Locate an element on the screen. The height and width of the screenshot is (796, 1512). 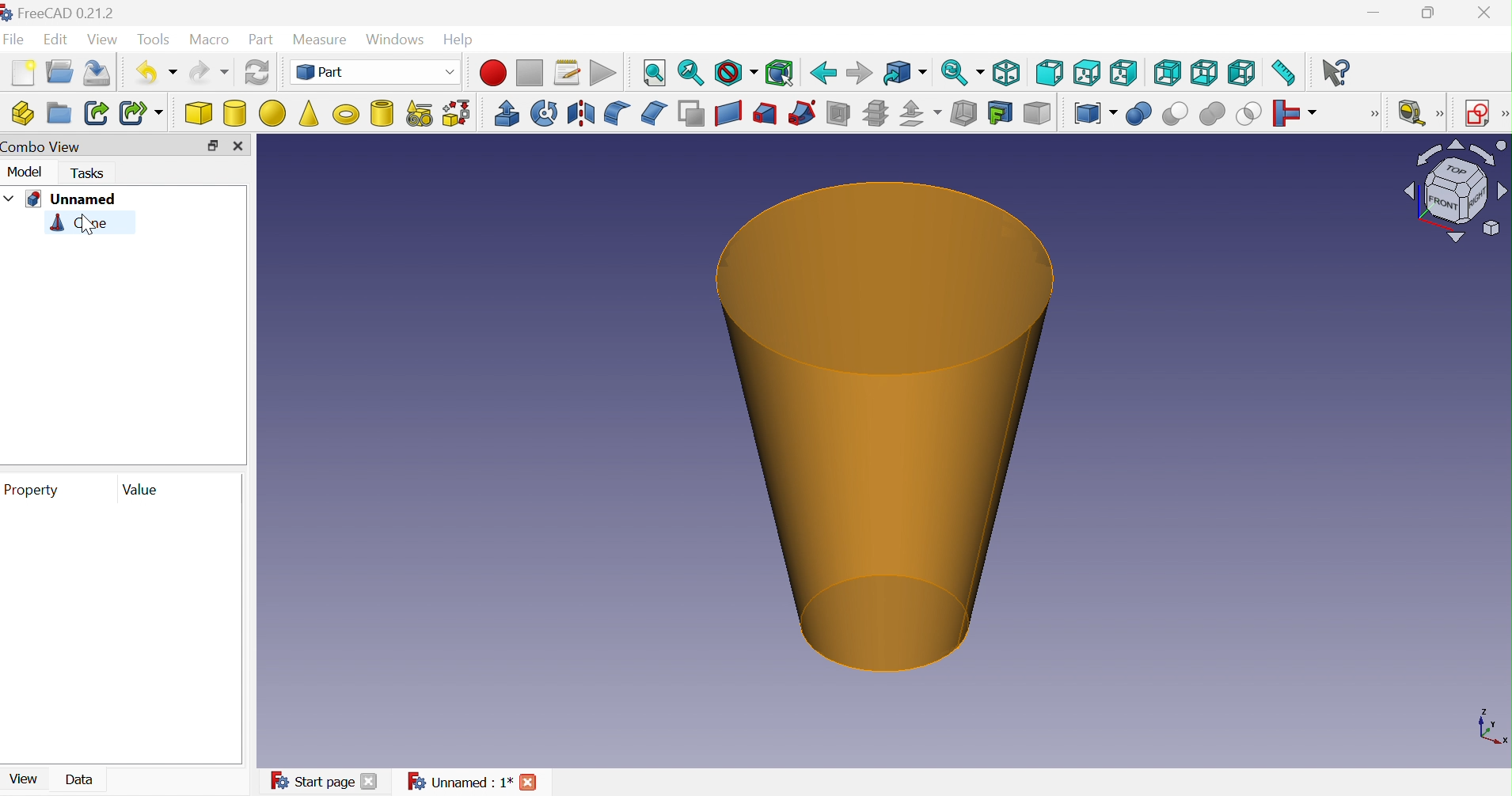
Thickness is located at coordinates (963, 114).